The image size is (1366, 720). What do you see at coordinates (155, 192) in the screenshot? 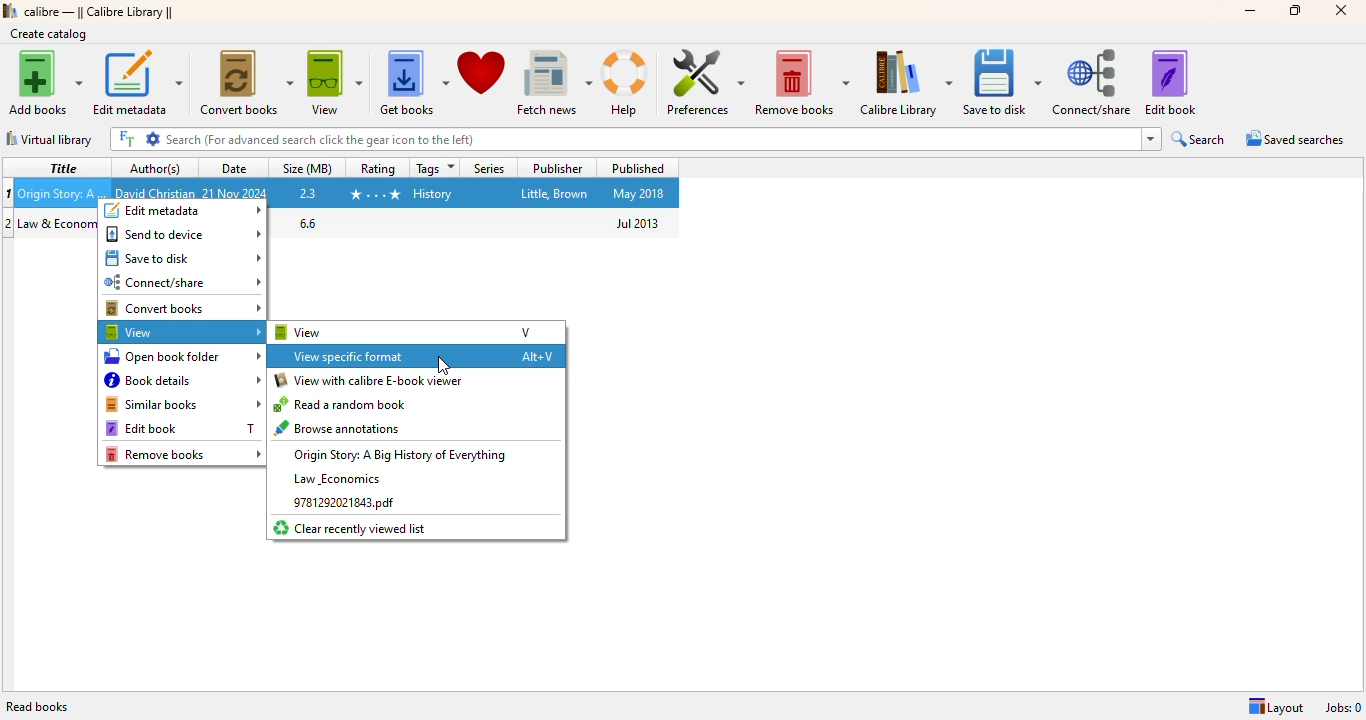
I see `Author` at bounding box center [155, 192].